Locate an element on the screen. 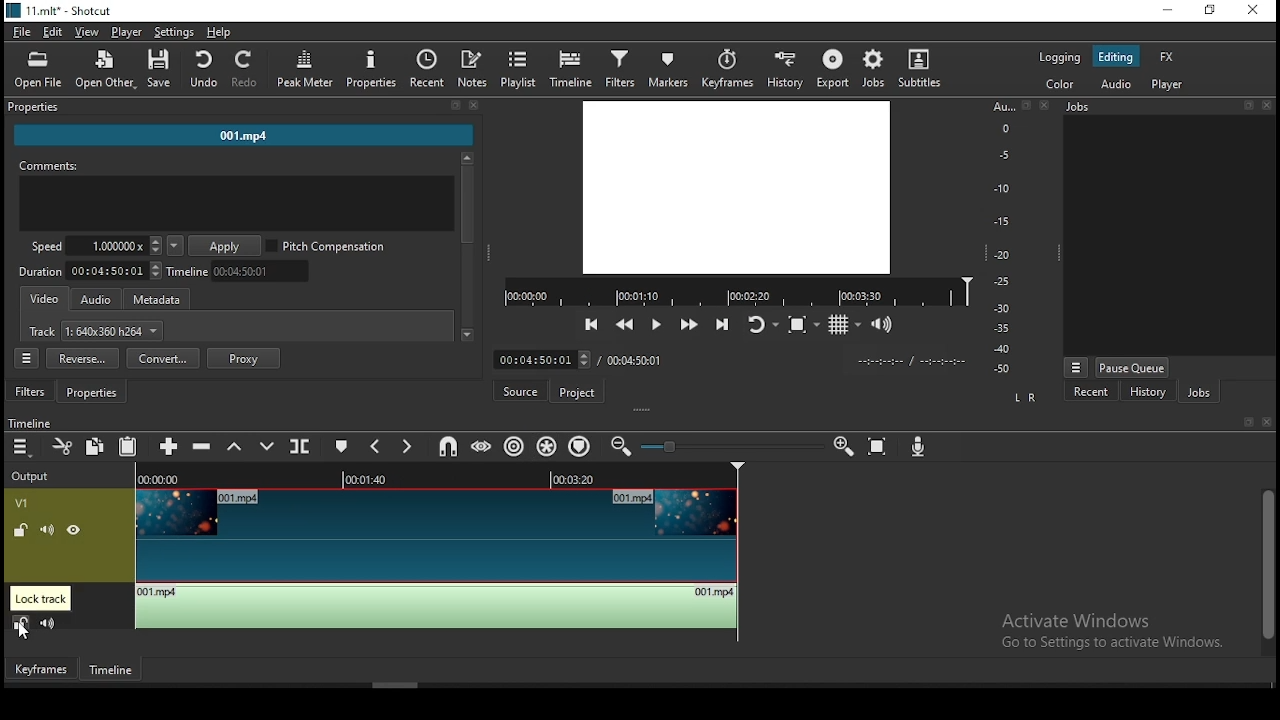 This screenshot has height=720, width=1280. logging is located at coordinates (1059, 58).